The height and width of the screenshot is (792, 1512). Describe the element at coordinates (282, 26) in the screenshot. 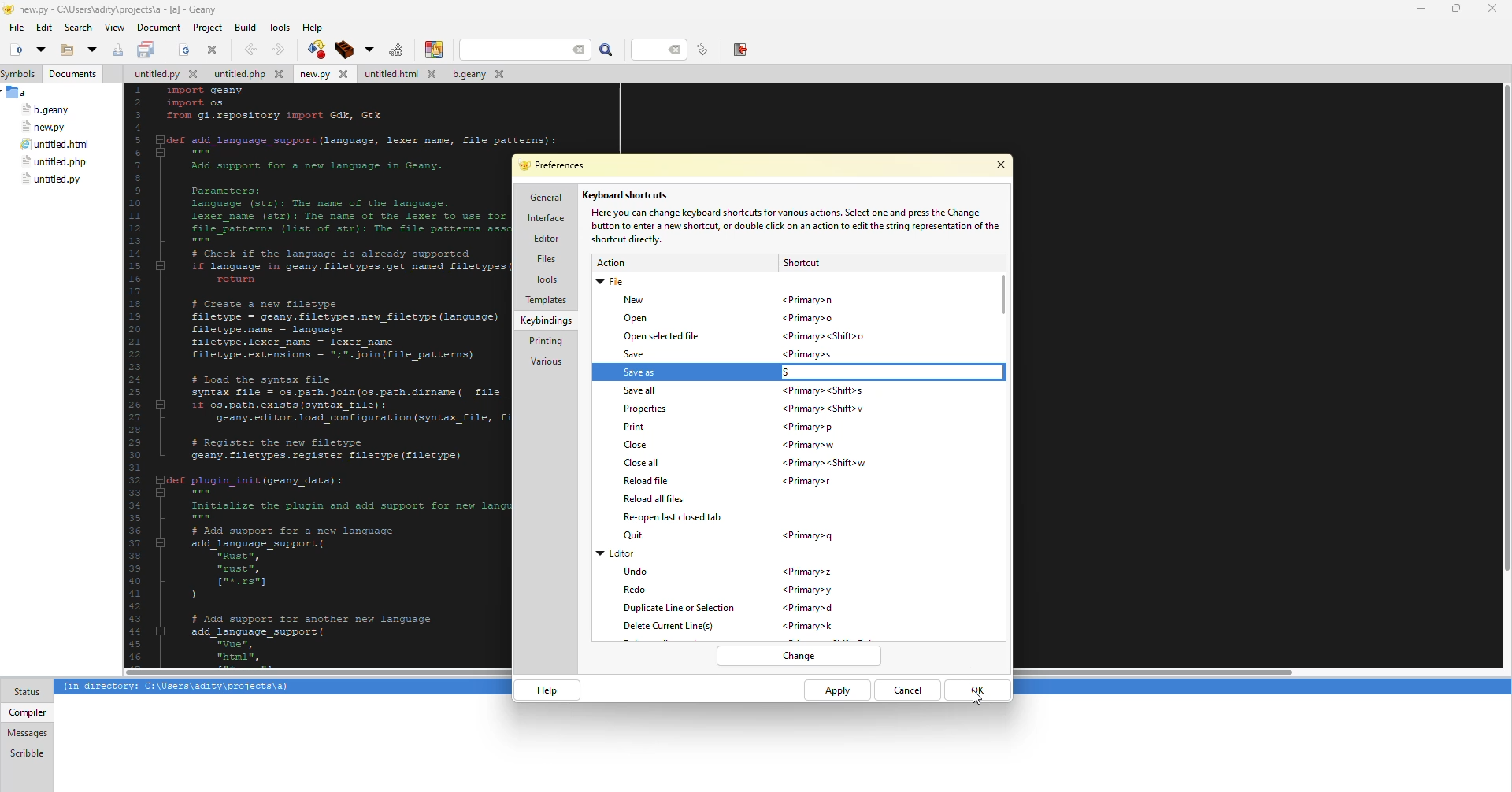

I see `tools` at that location.